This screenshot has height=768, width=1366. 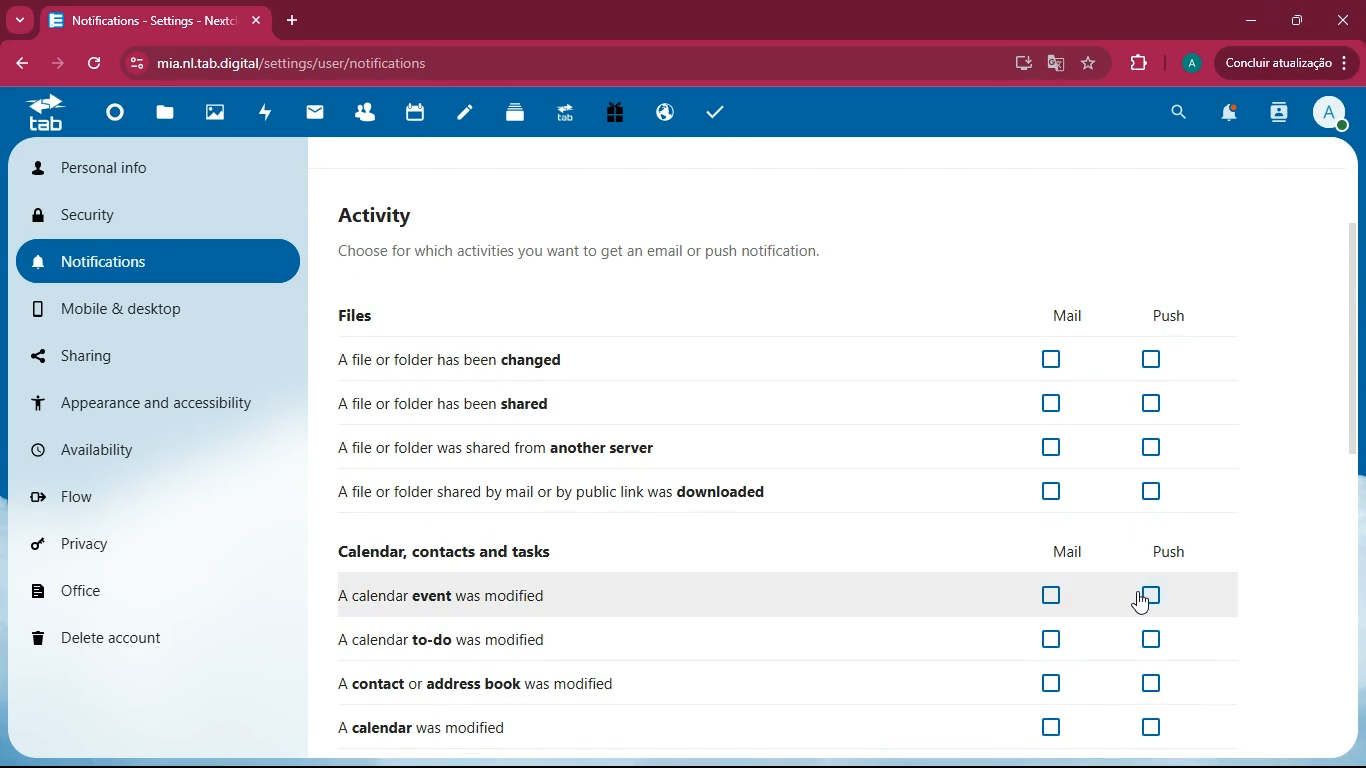 What do you see at coordinates (1061, 315) in the screenshot?
I see `Mail` at bounding box center [1061, 315].